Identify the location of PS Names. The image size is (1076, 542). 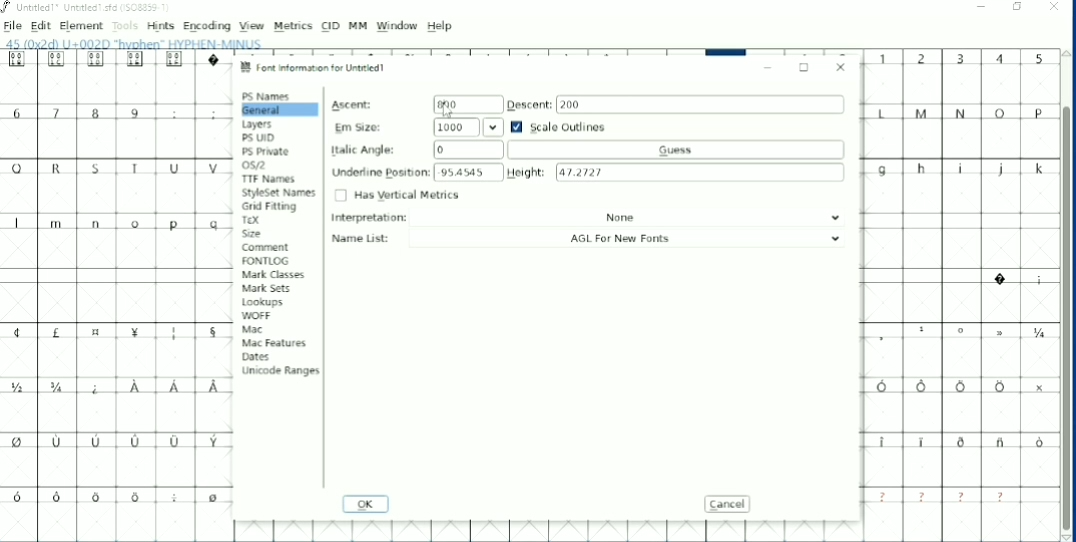
(267, 96).